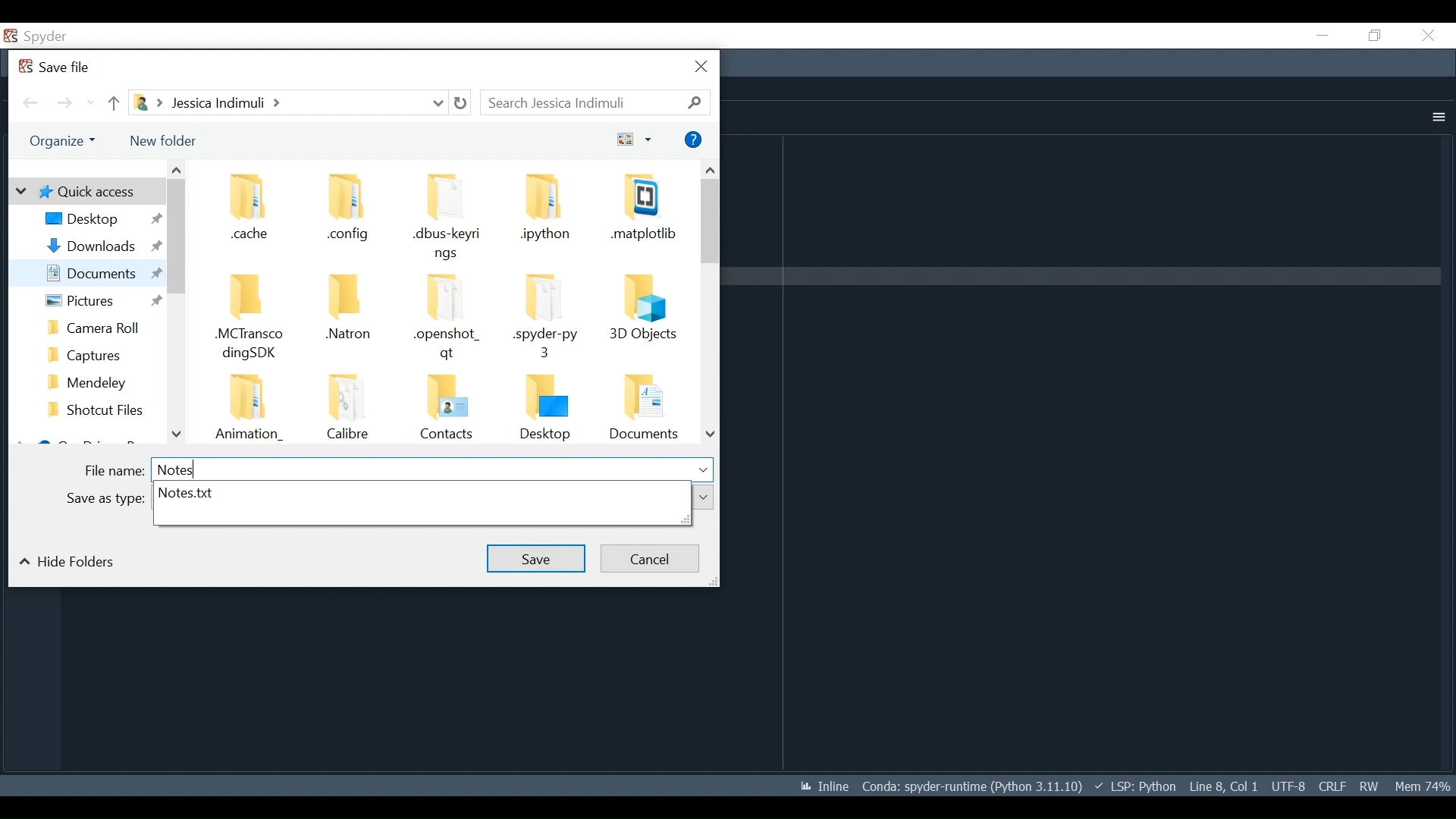 The image size is (1456, 819). Describe the element at coordinates (84, 191) in the screenshot. I see `Quick Access` at that location.